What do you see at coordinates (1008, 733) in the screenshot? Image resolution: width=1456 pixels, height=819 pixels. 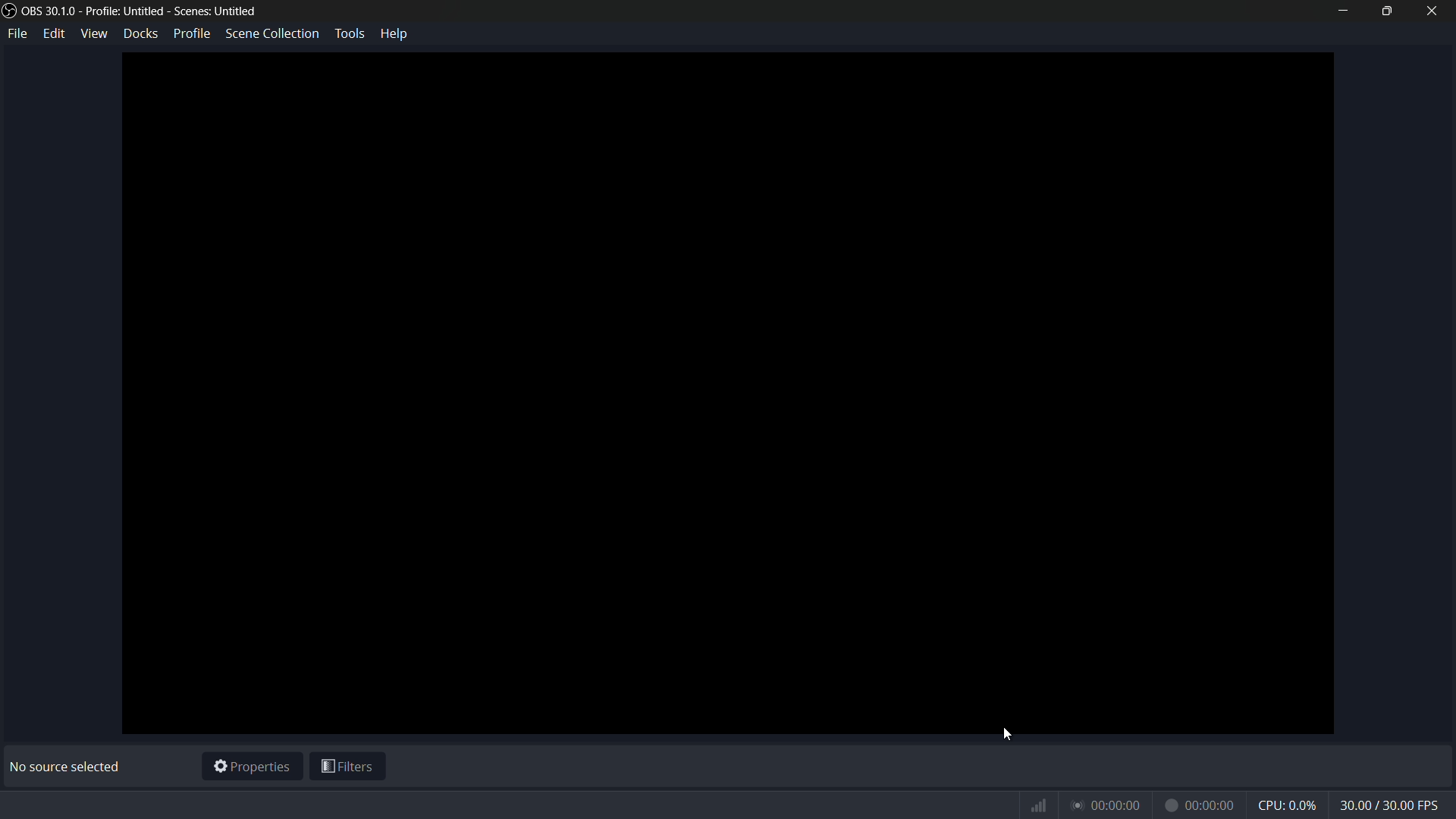 I see `cursor` at bounding box center [1008, 733].